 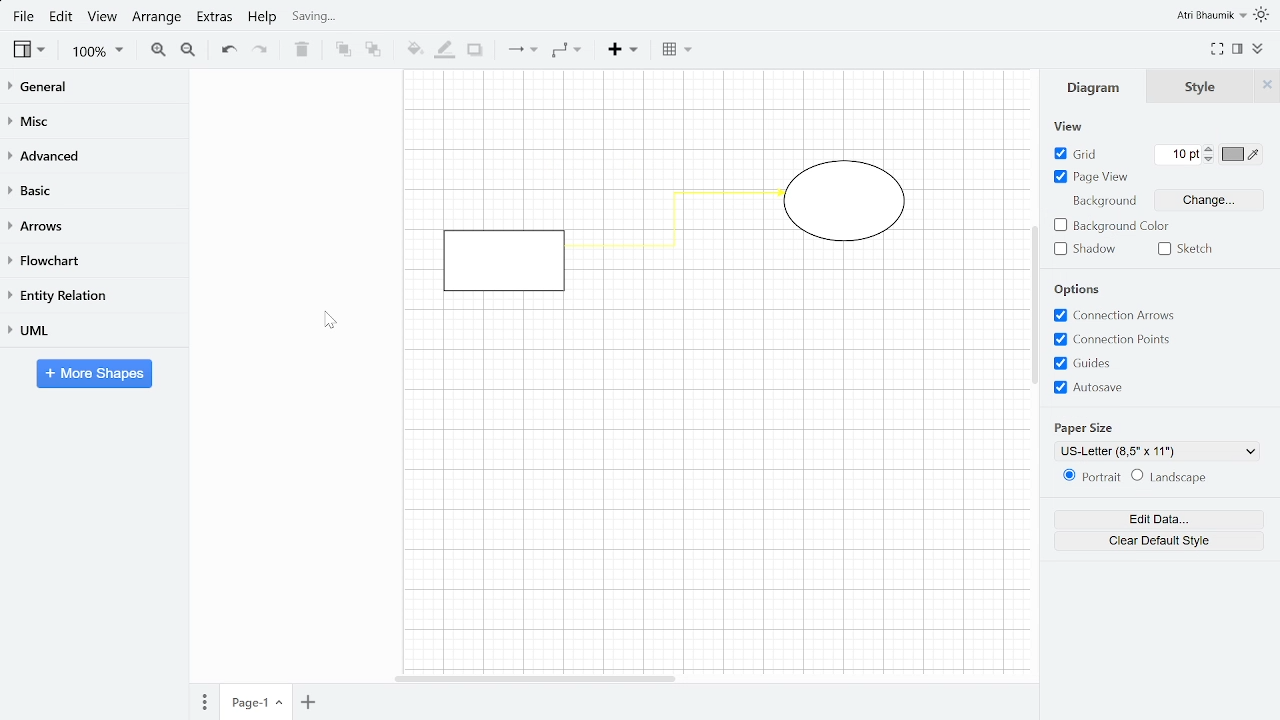 I want to click on Zoom, so click(x=97, y=53).